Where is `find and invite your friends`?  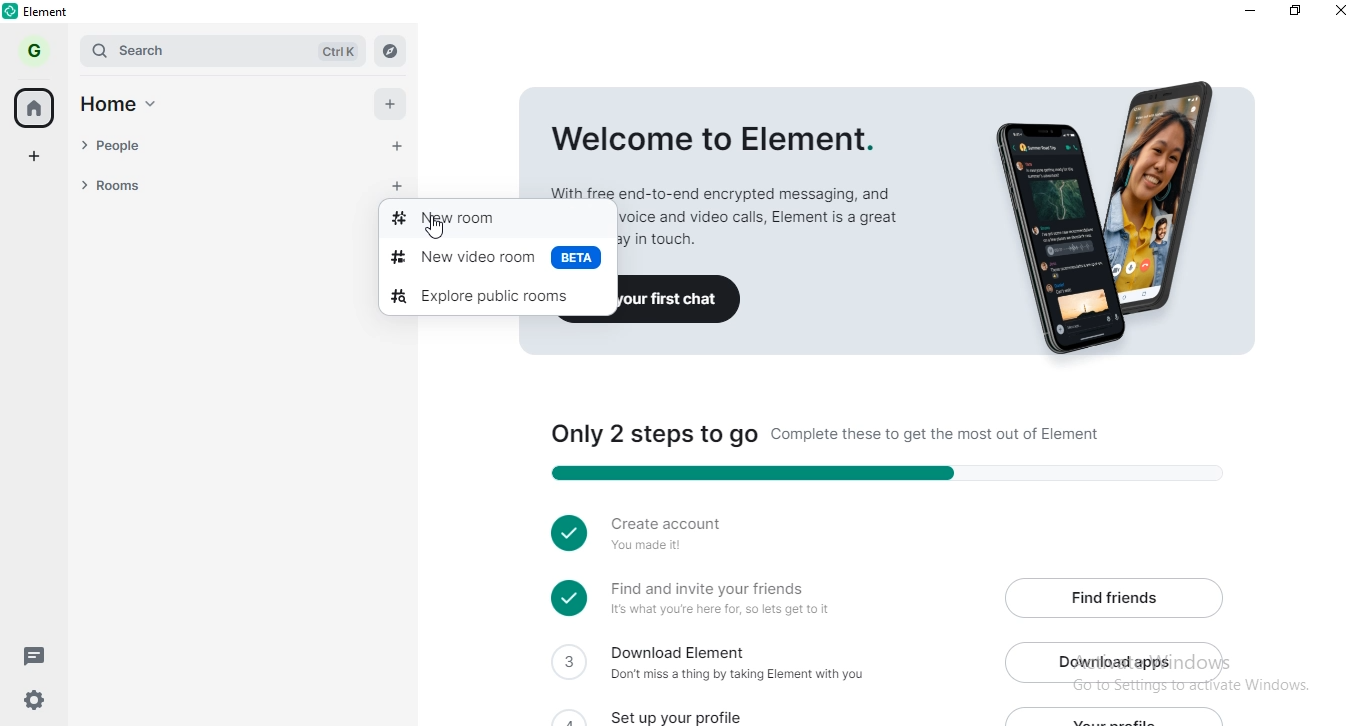 find and invite your friends is located at coordinates (715, 600).